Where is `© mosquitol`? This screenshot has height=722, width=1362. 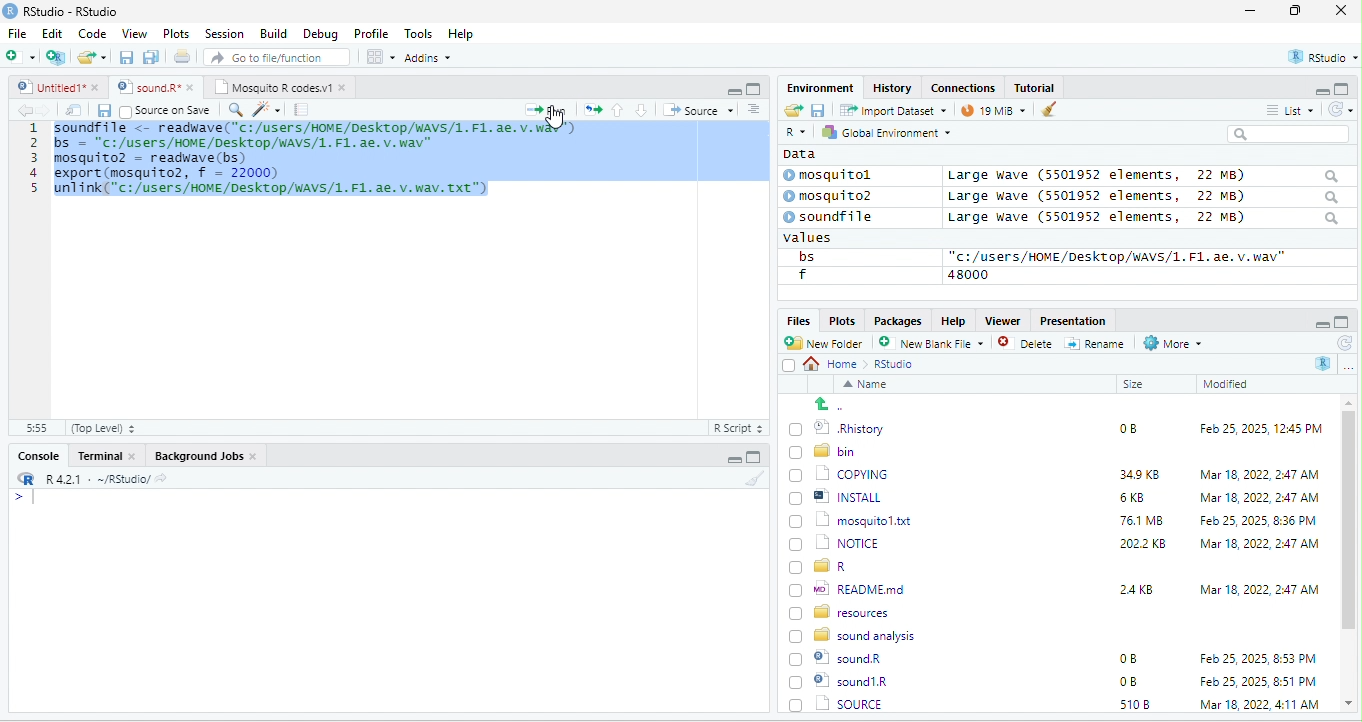 © mosquitol is located at coordinates (842, 175).